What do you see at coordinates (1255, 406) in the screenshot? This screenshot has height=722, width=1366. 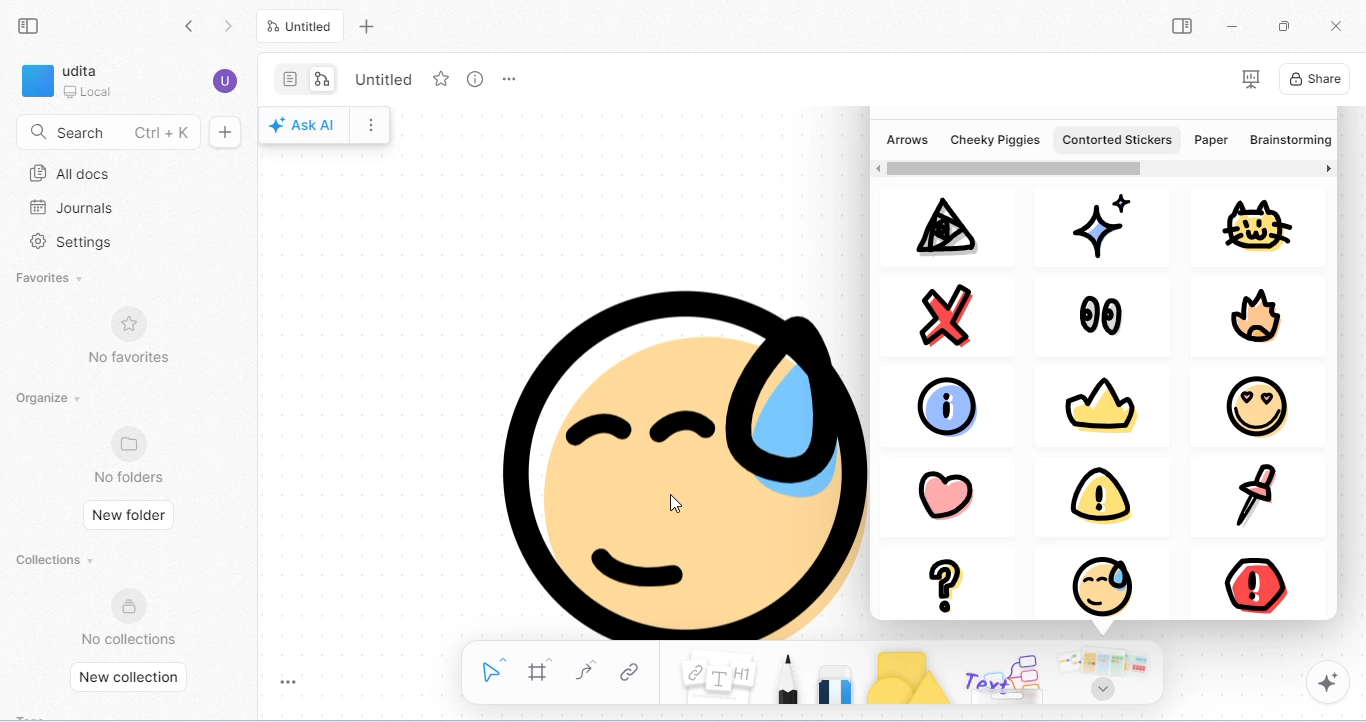 I see `love face` at bounding box center [1255, 406].